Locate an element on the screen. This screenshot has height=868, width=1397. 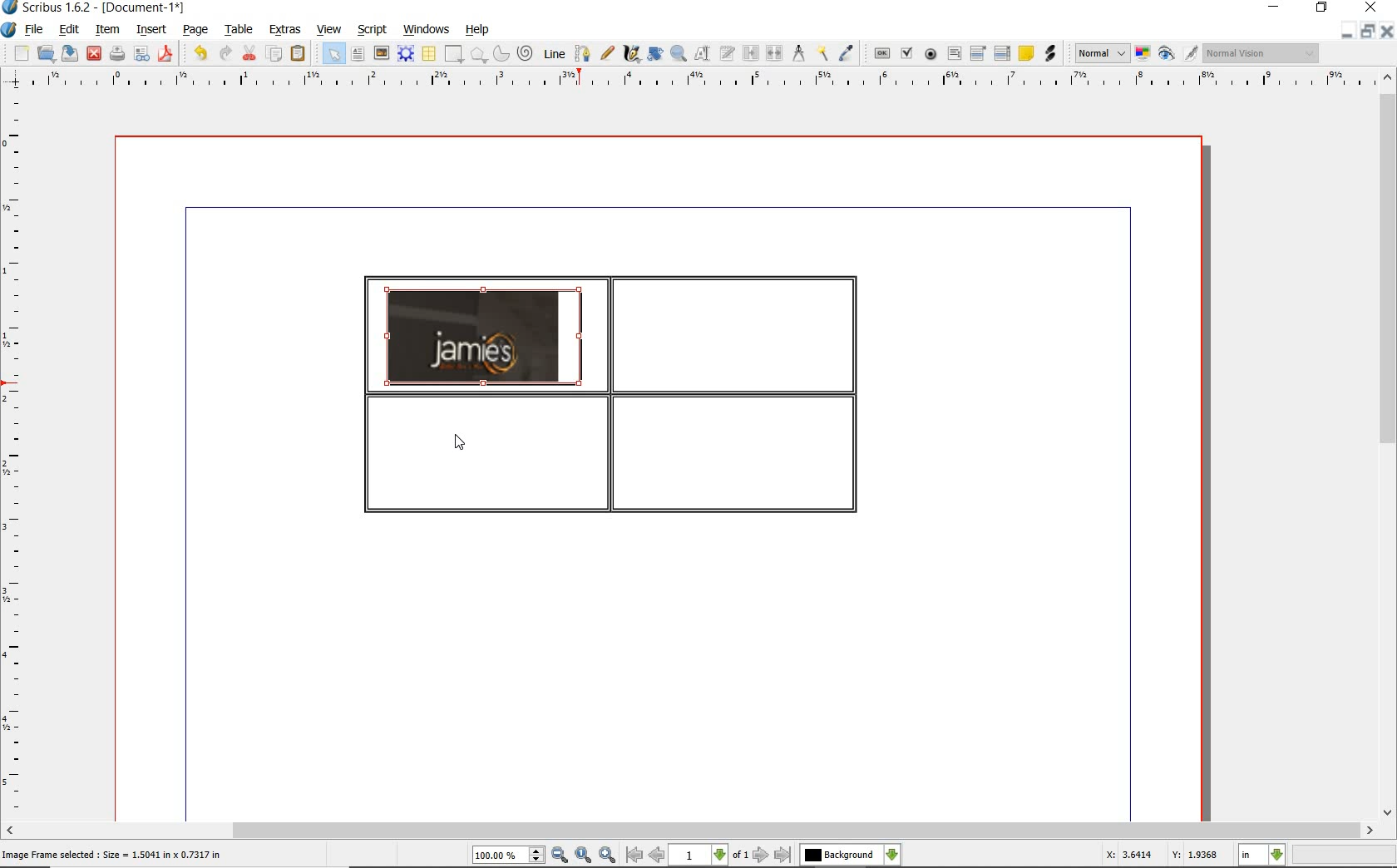
new is located at coordinates (22, 55).